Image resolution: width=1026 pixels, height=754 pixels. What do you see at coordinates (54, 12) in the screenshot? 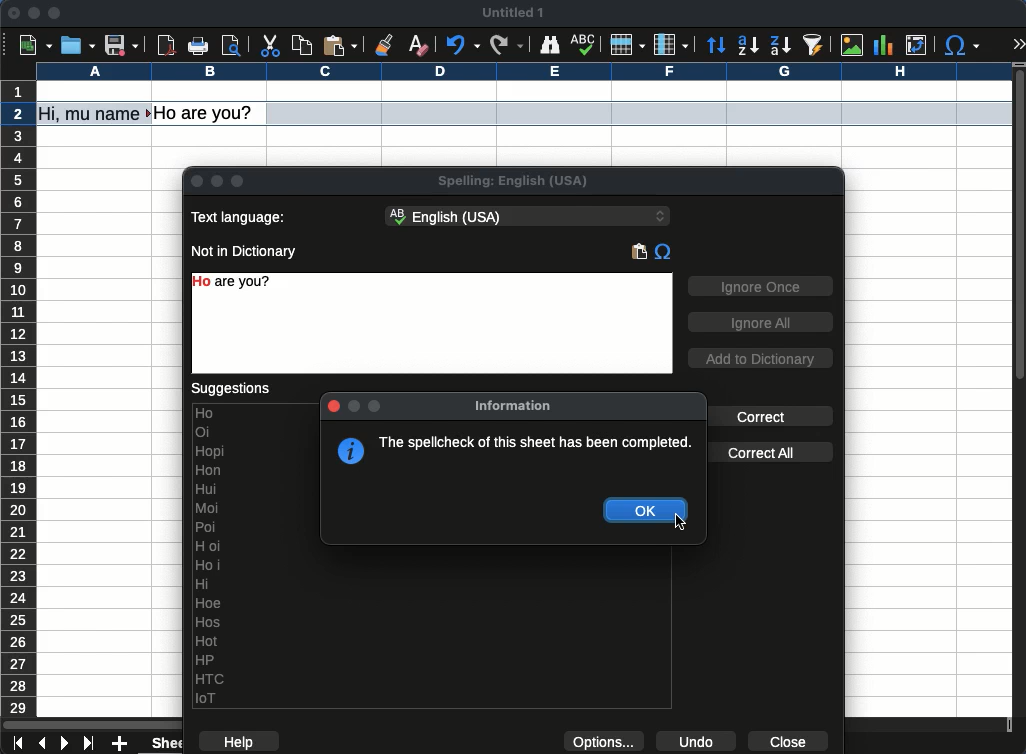
I see `maximize` at bounding box center [54, 12].